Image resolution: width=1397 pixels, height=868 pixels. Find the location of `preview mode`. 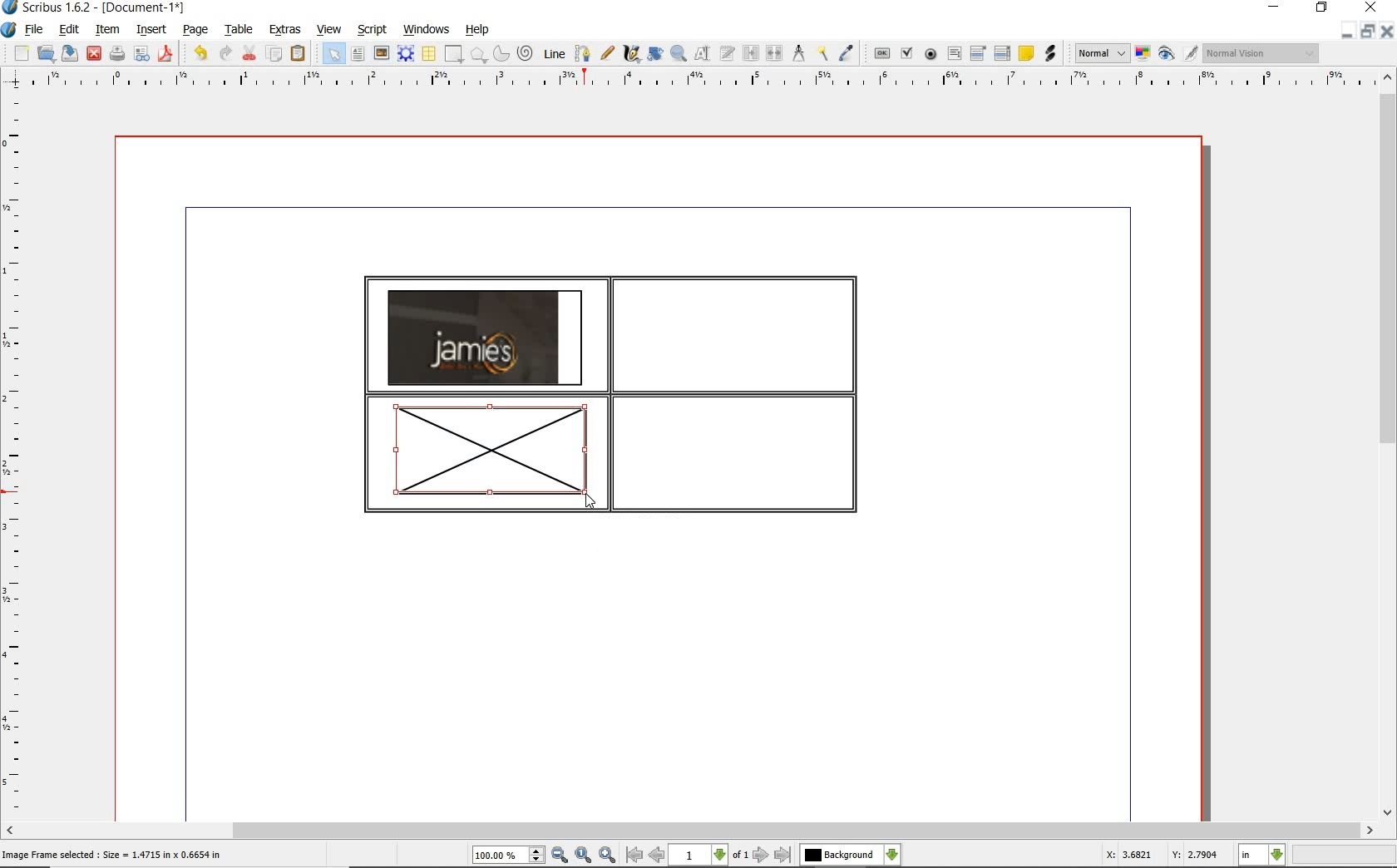

preview mode is located at coordinates (1167, 55).